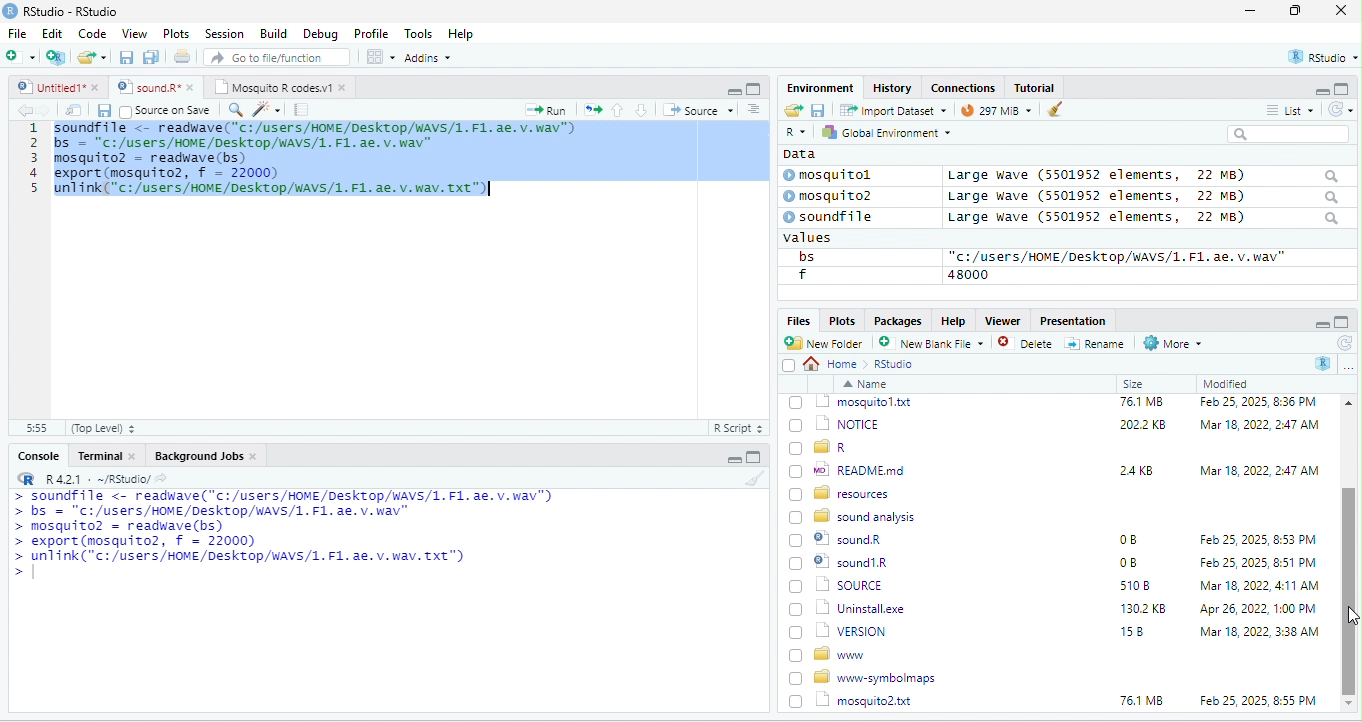 The height and width of the screenshot is (722, 1362). Describe the element at coordinates (278, 59) in the screenshot. I see `” Go to file/function` at that location.